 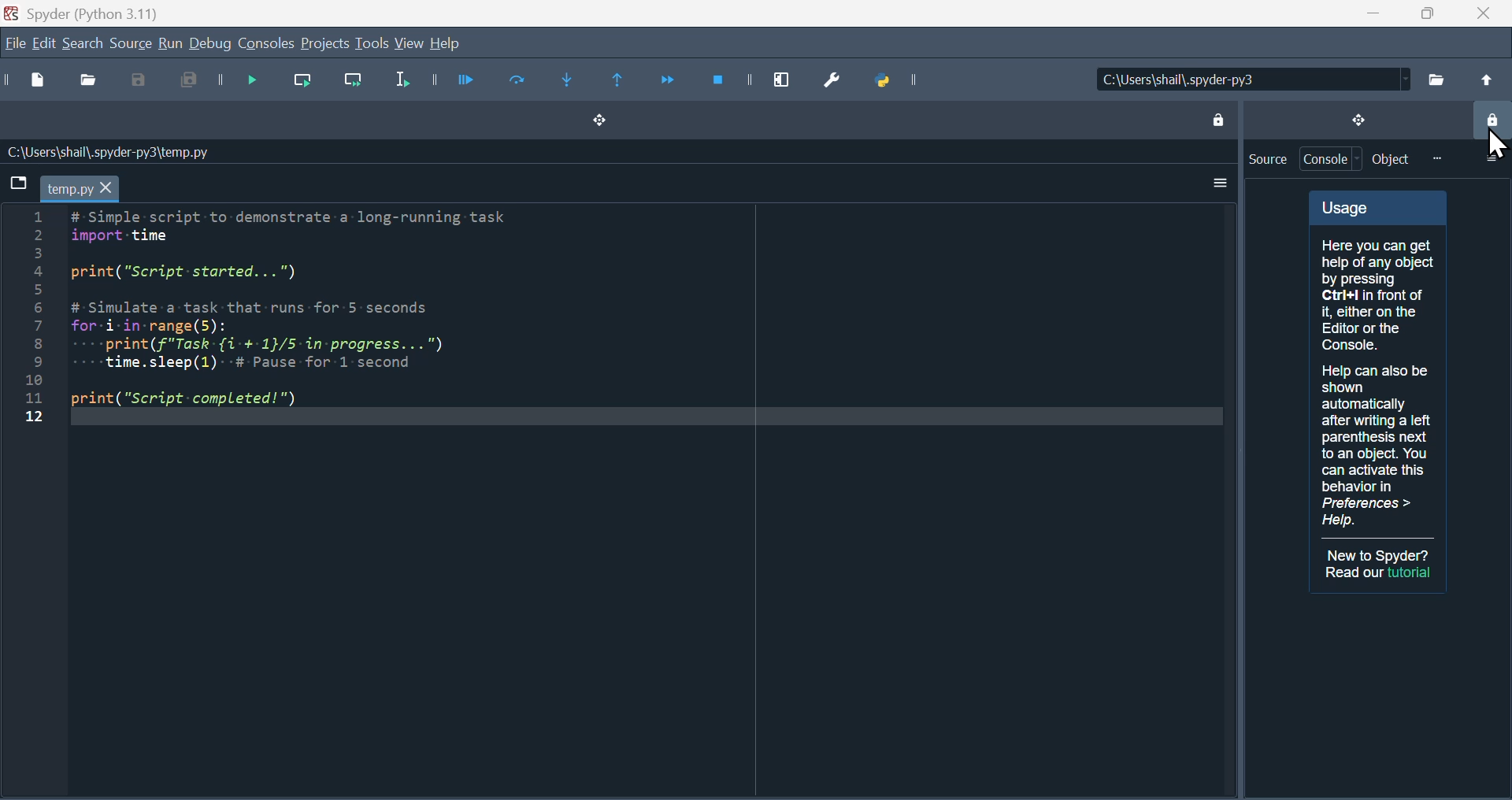 I want to click on C:\Users\shail\.spyder-py3\temp.py, so click(x=106, y=152).